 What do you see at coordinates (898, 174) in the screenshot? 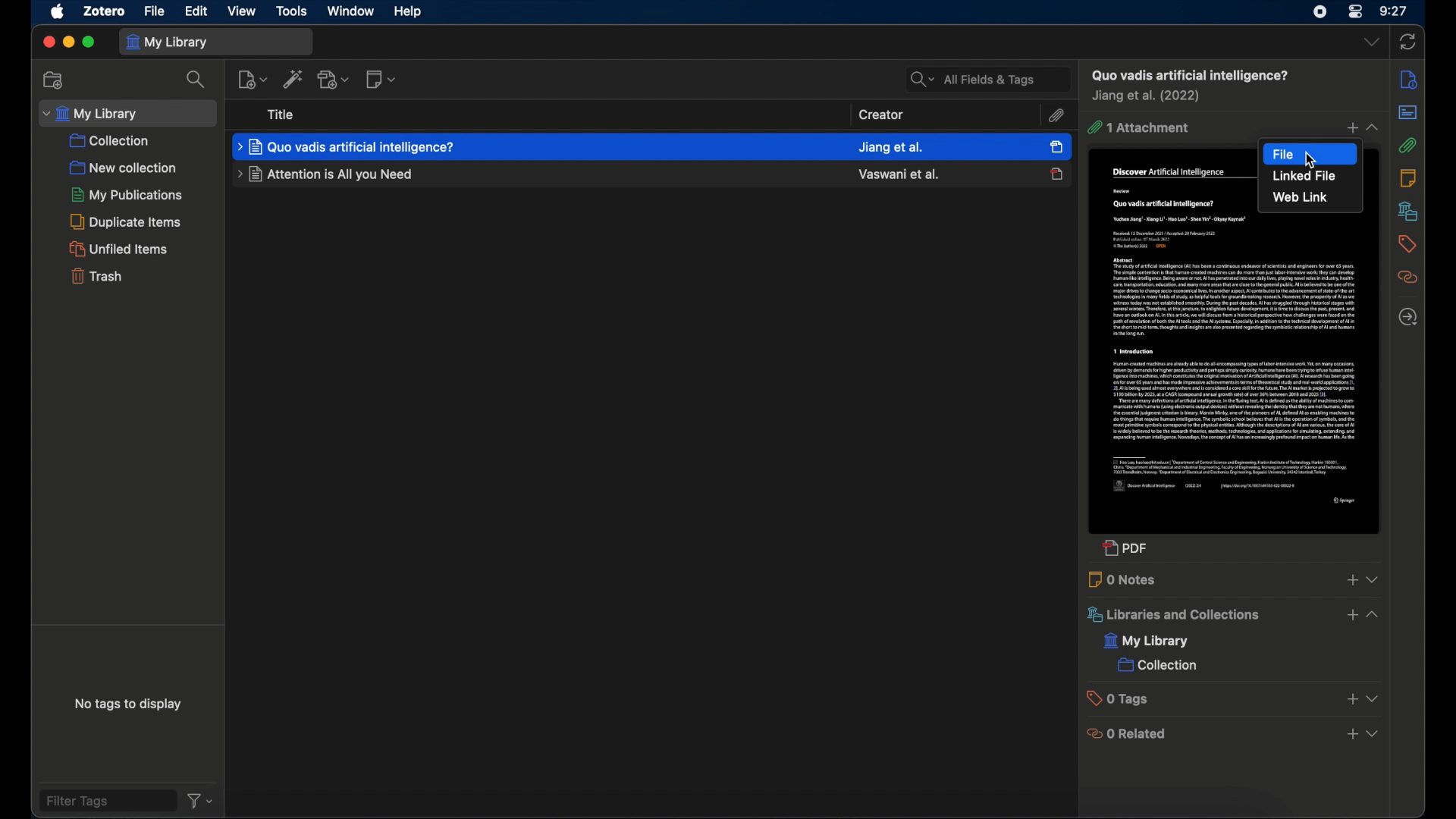
I see `creator` at bounding box center [898, 174].